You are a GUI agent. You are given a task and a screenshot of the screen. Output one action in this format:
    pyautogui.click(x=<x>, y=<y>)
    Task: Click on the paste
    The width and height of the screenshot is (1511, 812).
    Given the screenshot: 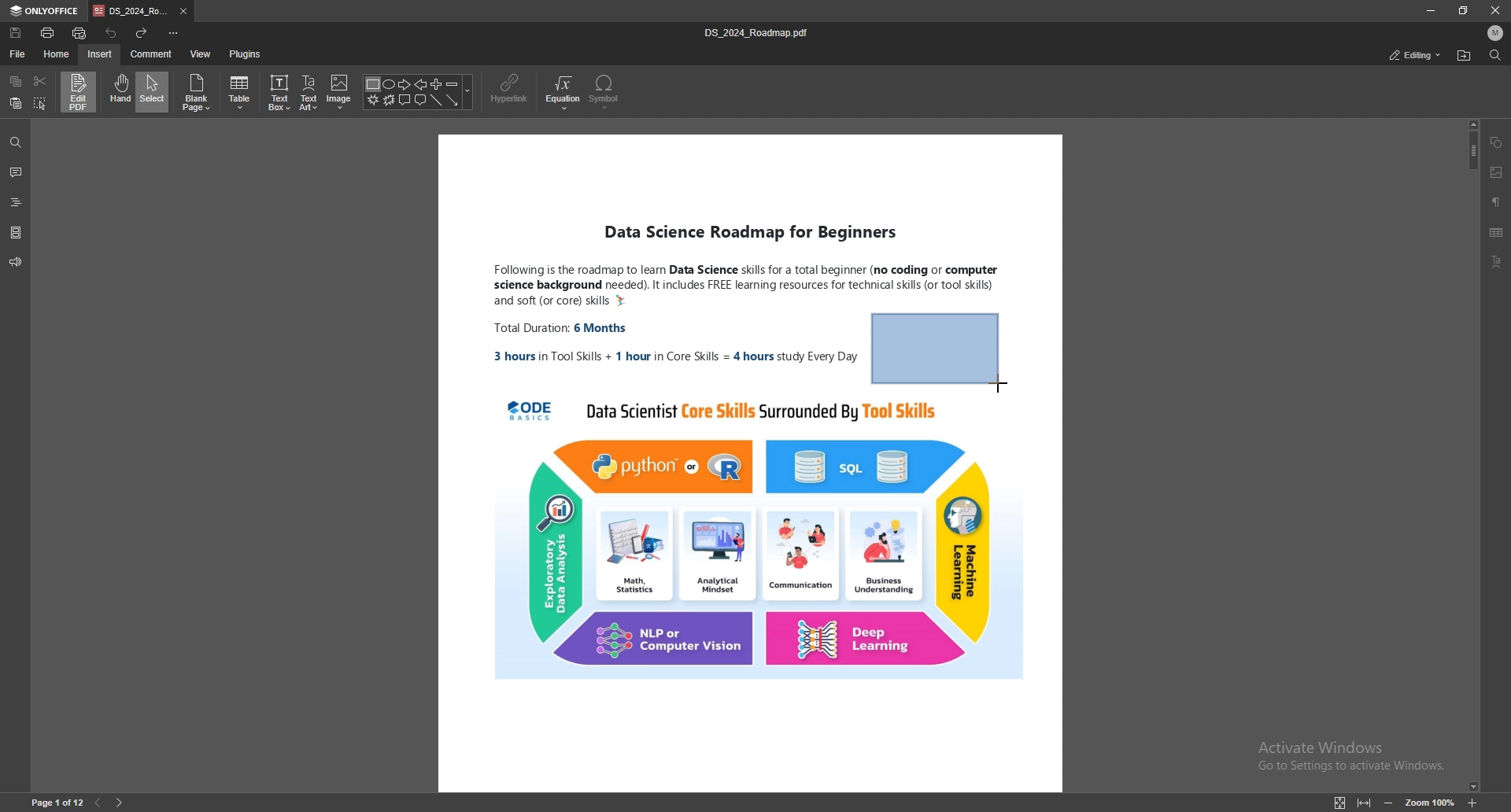 What is the action you would take?
    pyautogui.click(x=16, y=104)
    